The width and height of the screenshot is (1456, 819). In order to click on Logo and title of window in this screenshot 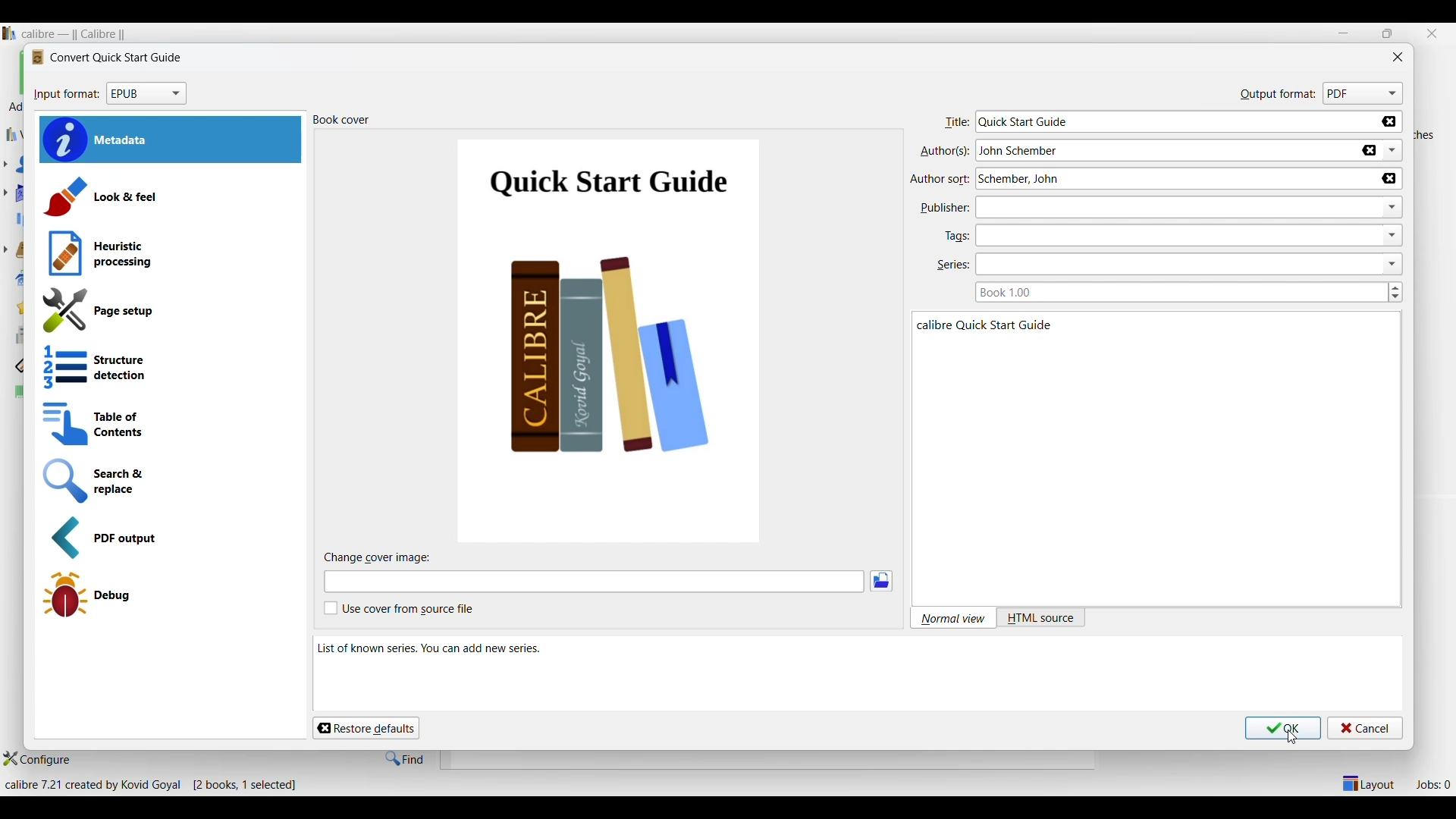, I will do `click(106, 58)`.